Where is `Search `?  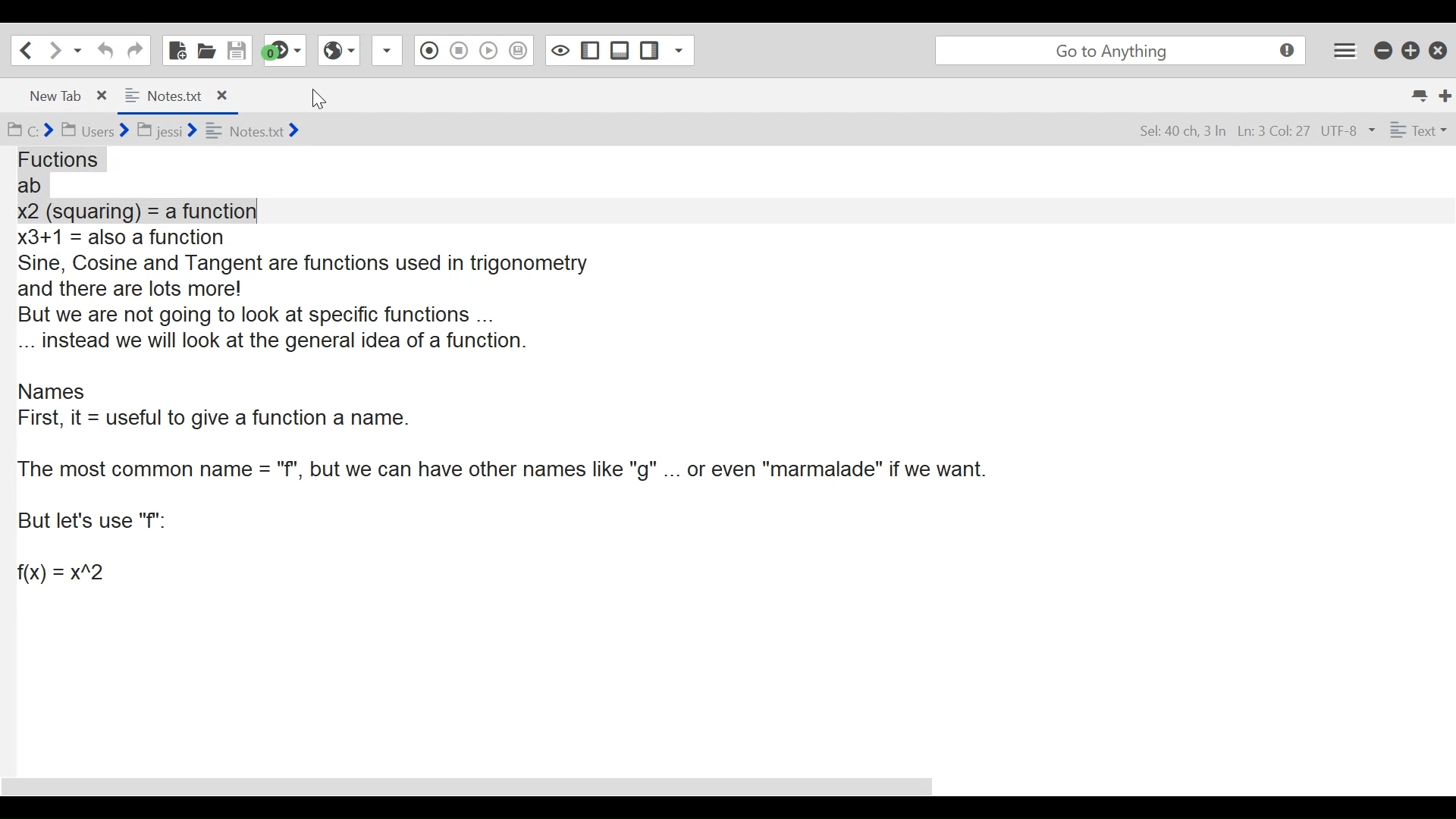 Search  is located at coordinates (1120, 49).